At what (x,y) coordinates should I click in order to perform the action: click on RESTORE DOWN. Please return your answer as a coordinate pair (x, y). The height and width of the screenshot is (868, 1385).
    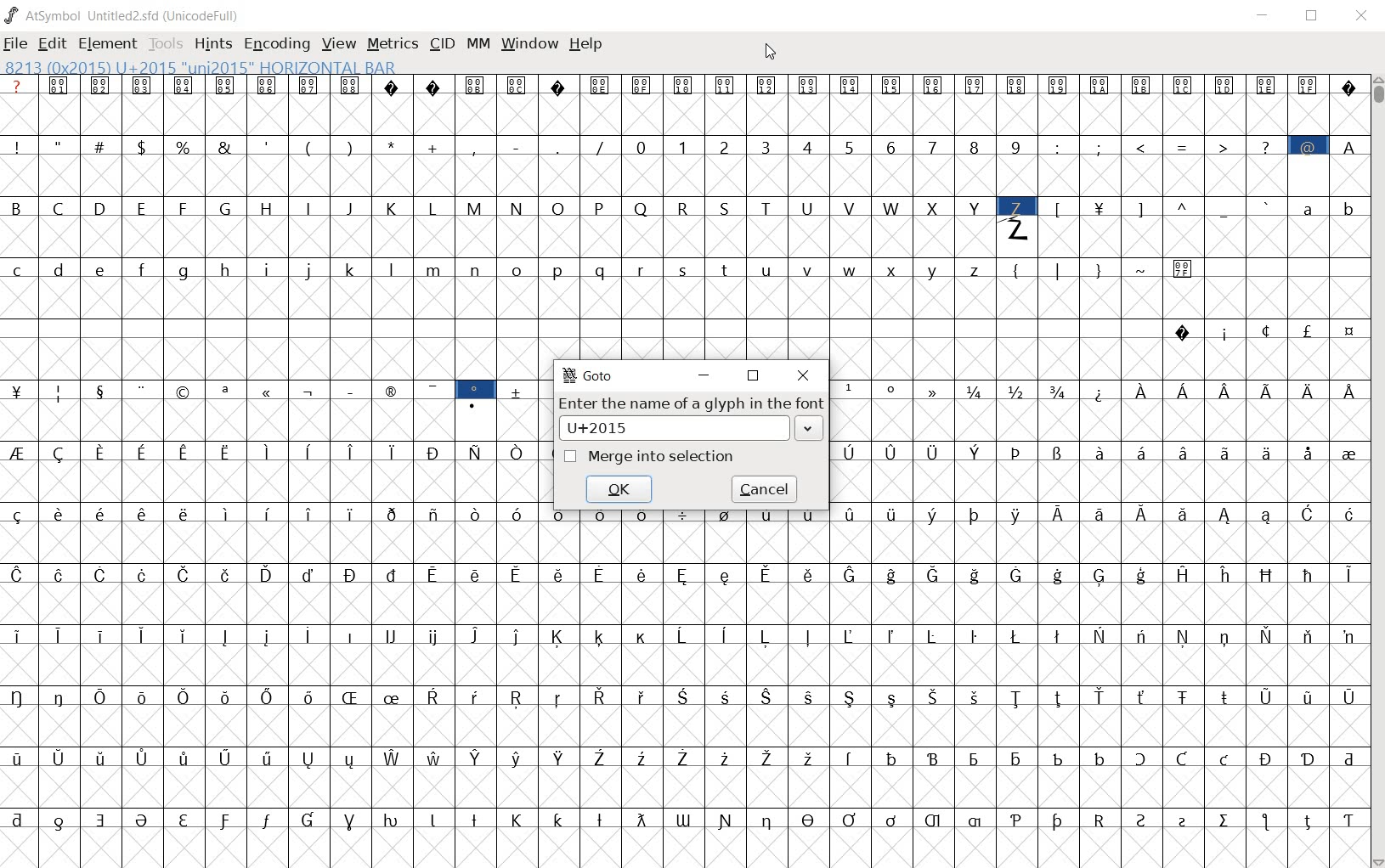
    Looking at the image, I should click on (755, 378).